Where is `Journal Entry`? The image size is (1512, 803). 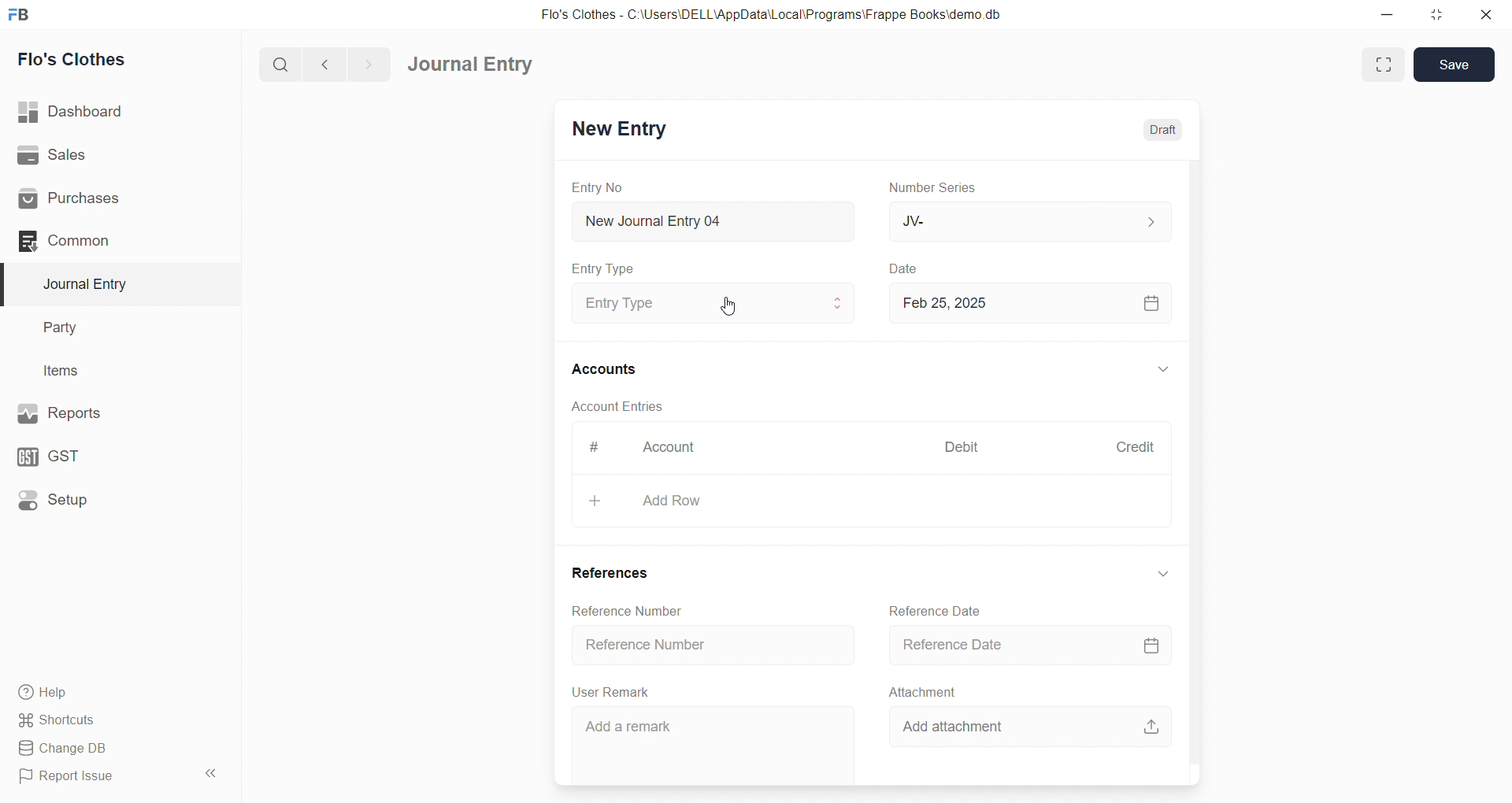 Journal Entry is located at coordinates (112, 284).